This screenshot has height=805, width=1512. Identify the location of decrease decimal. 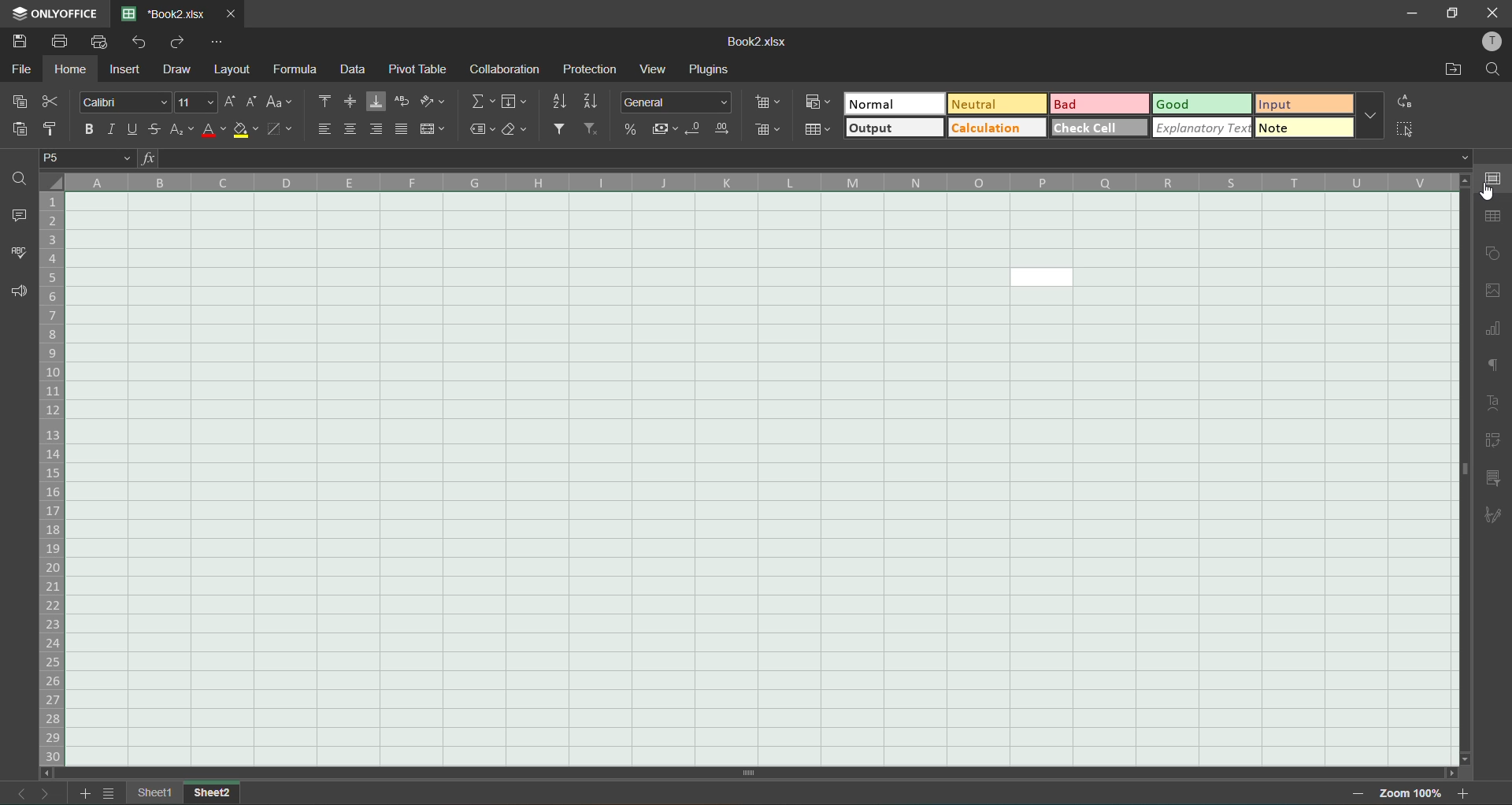
(695, 129).